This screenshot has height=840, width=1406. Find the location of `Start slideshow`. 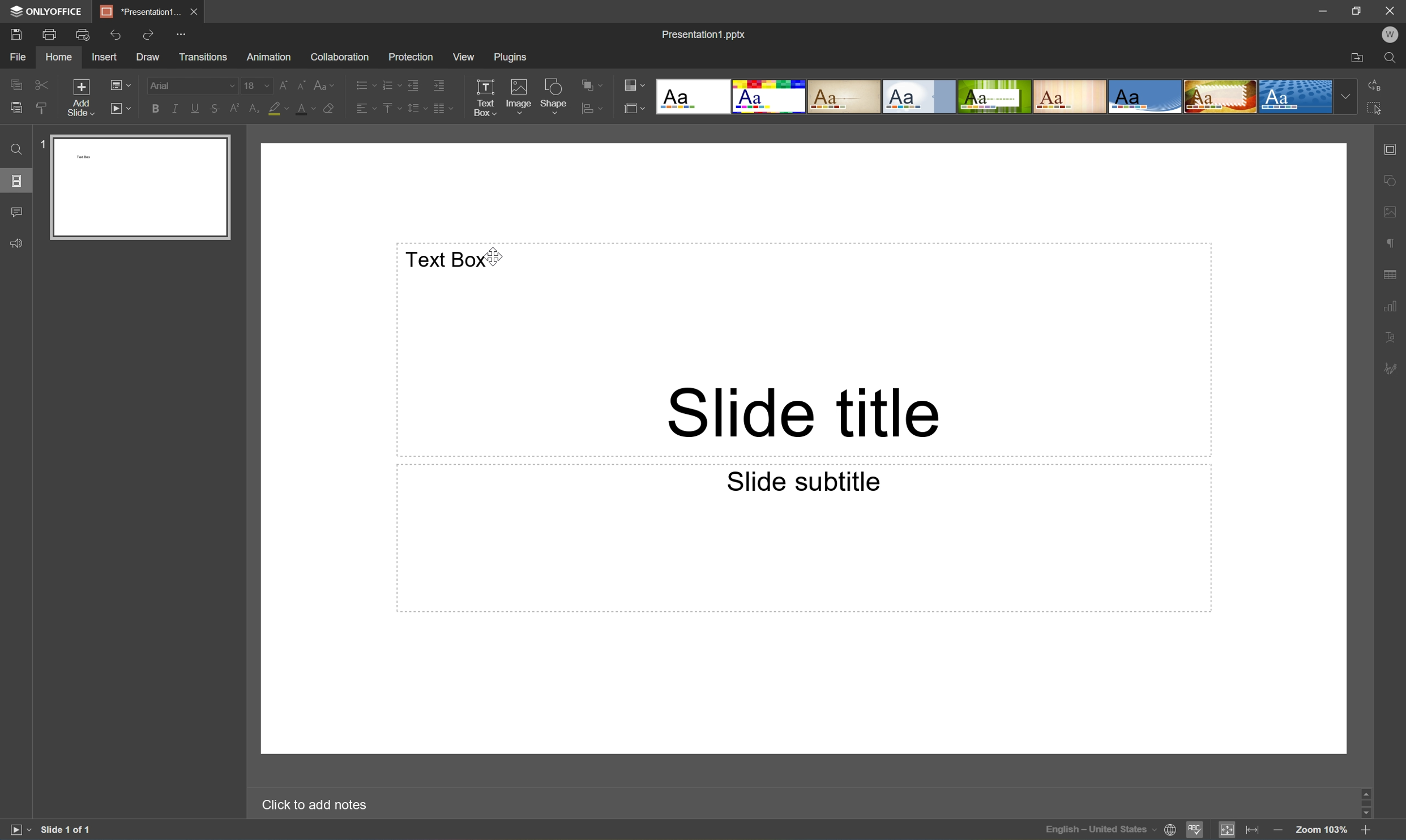

Start slideshow is located at coordinates (16, 830).